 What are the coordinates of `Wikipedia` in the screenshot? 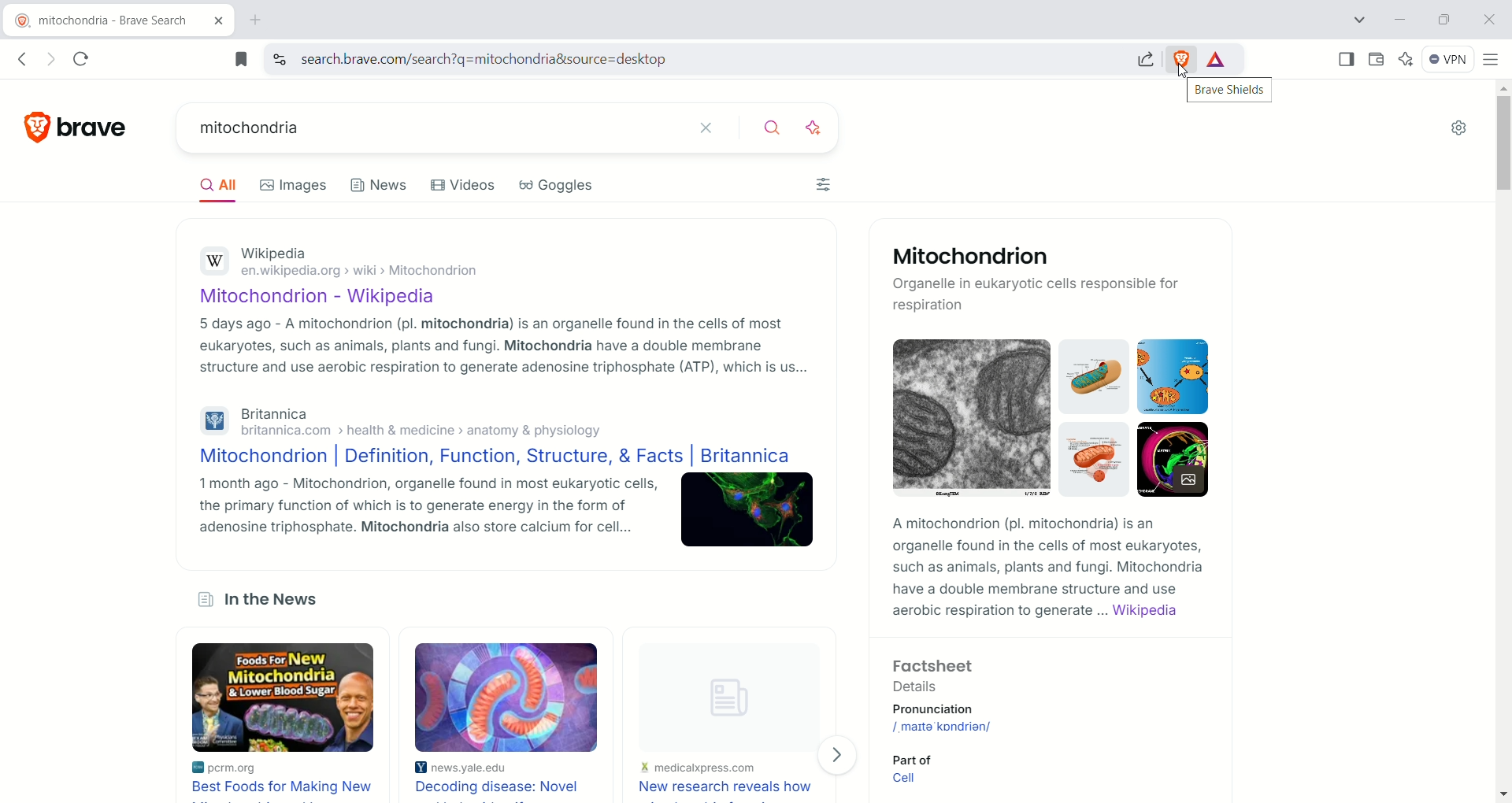 It's located at (1145, 611).